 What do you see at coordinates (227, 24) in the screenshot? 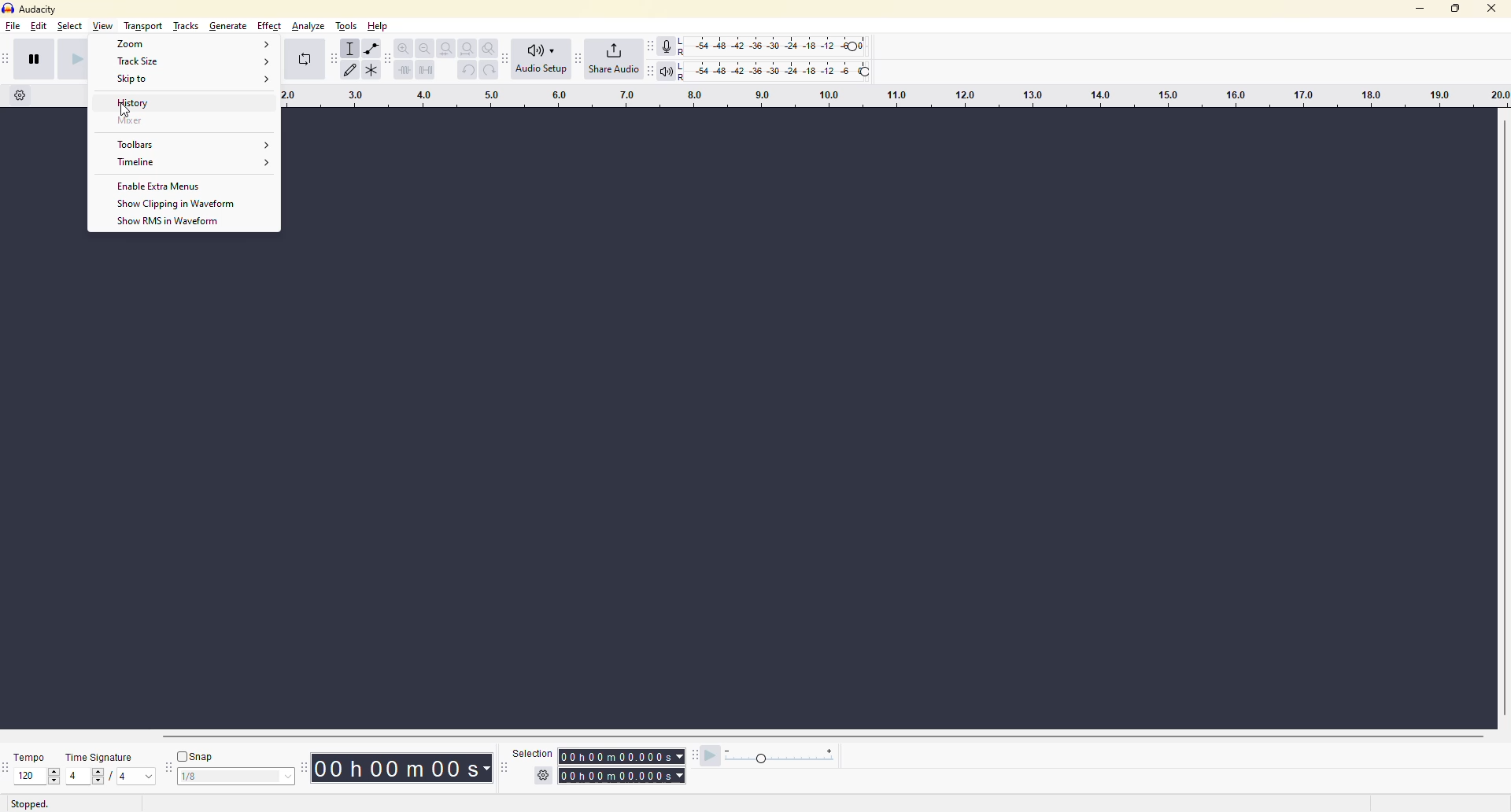
I see `generate` at bounding box center [227, 24].